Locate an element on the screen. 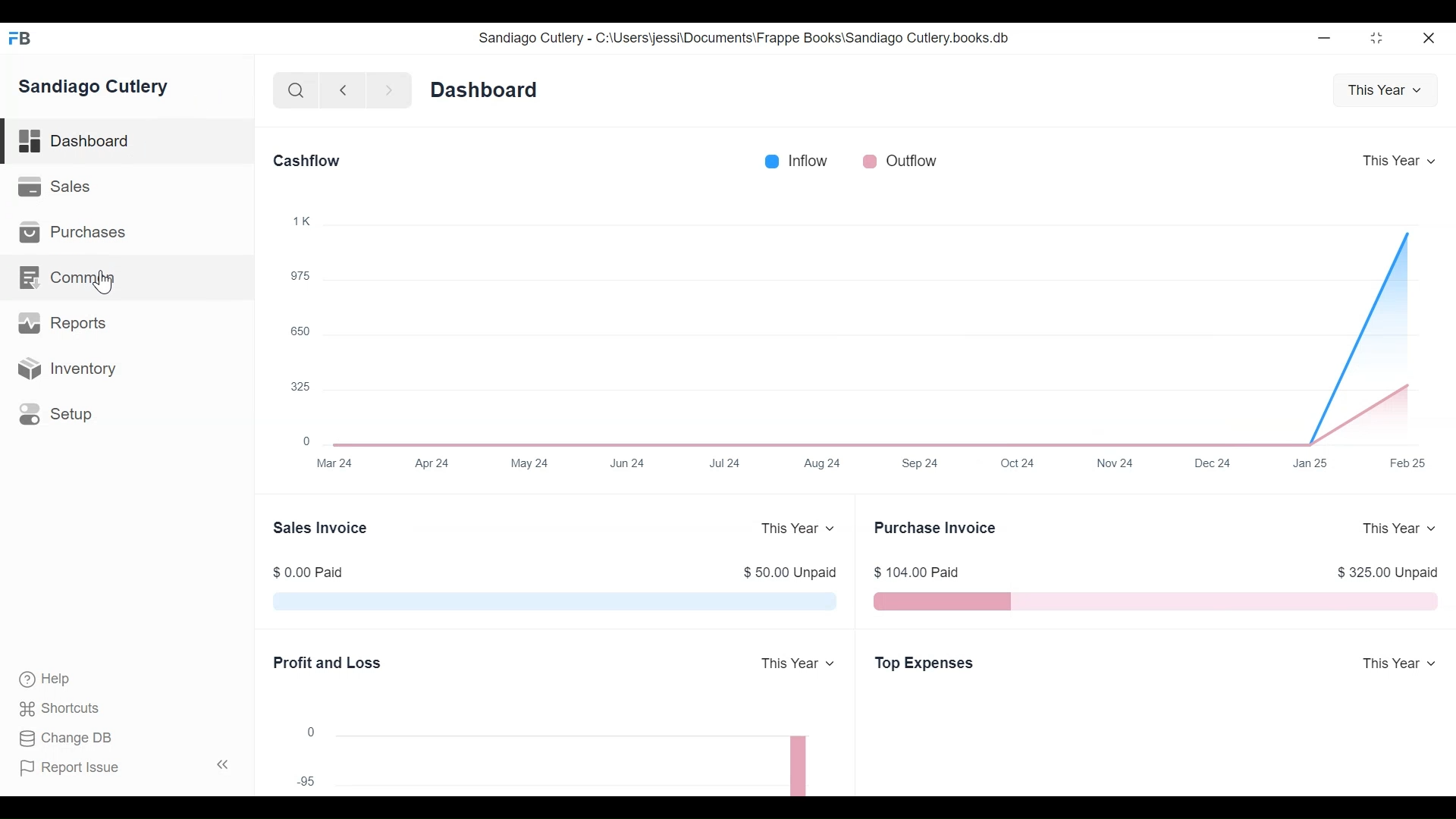 Image resolution: width=1456 pixels, height=819 pixels. Search is located at coordinates (294, 90).